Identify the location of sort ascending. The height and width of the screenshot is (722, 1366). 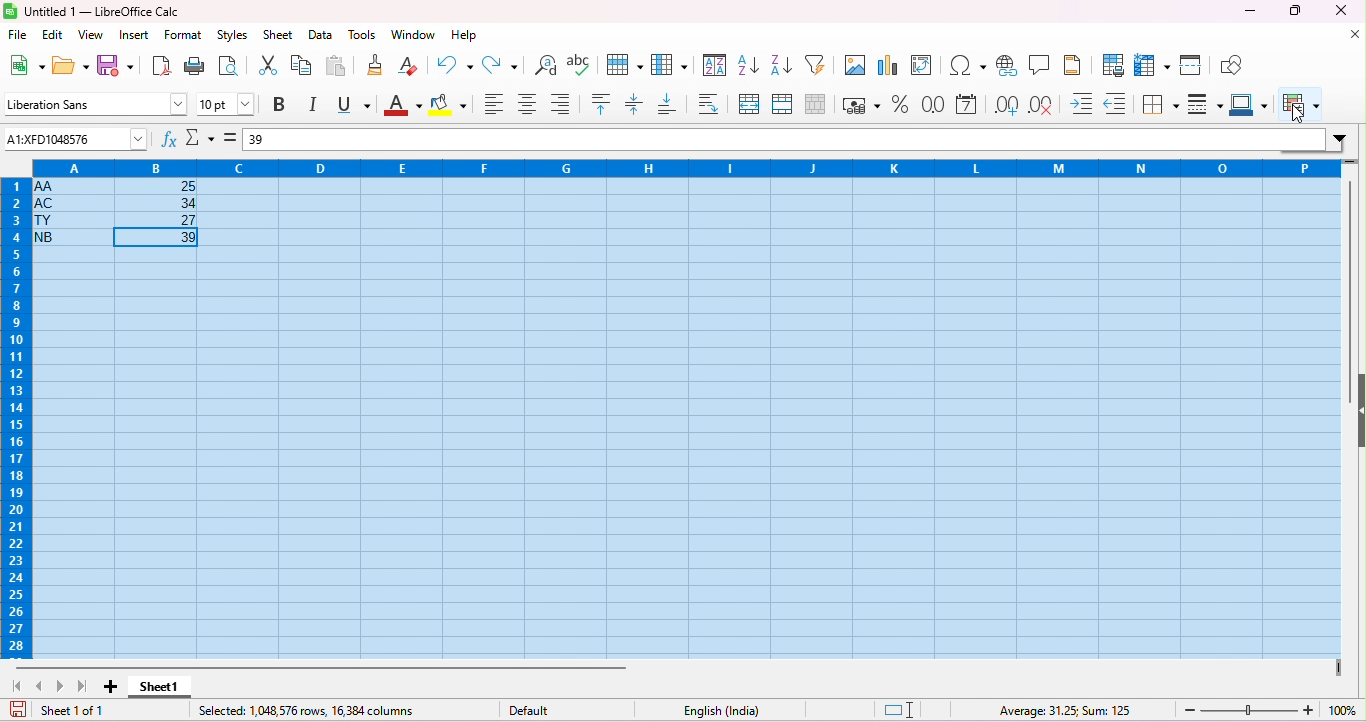
(749, 63).